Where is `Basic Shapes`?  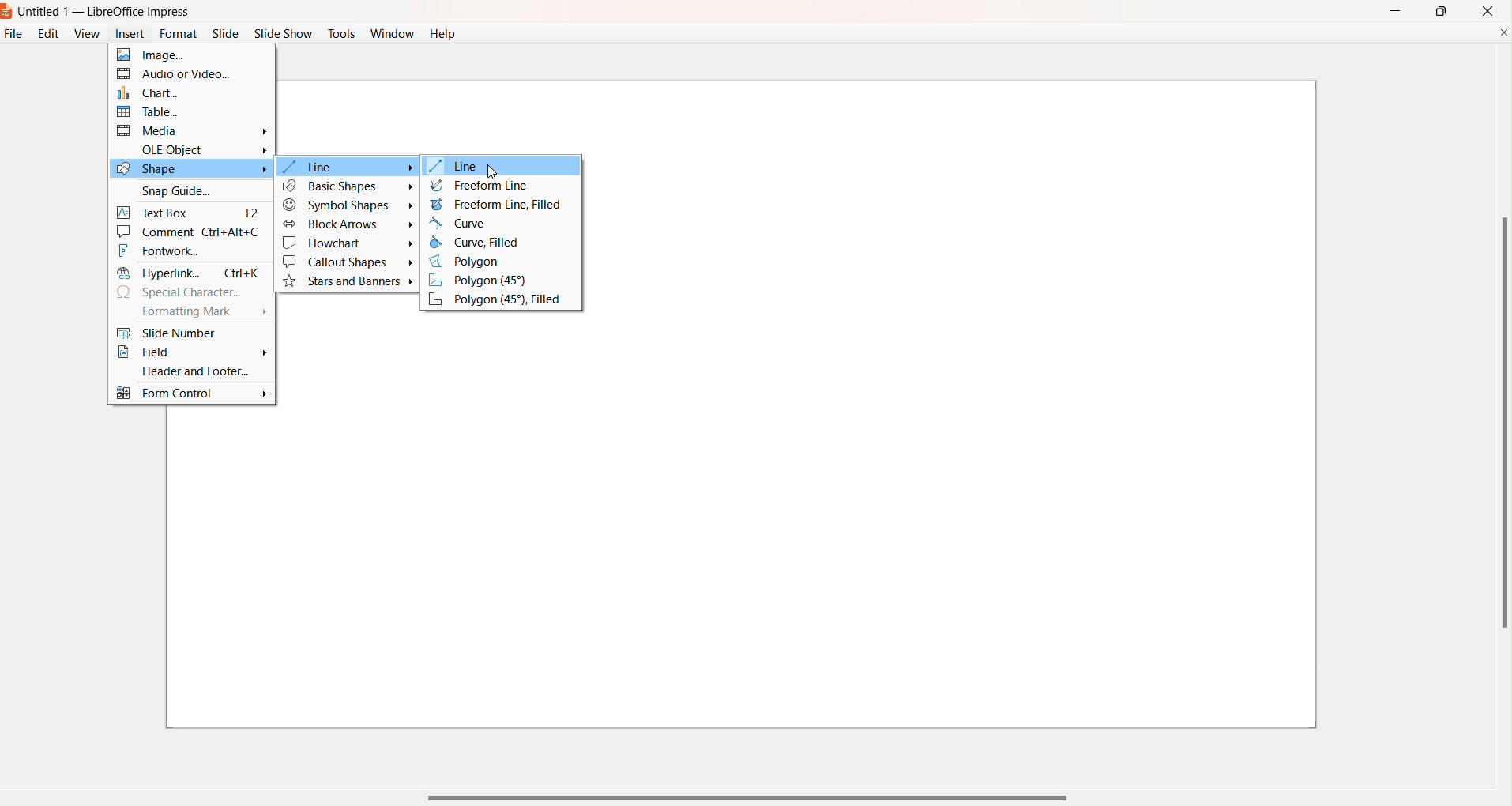 Basic Shapes is located at coordinates (348, 186).